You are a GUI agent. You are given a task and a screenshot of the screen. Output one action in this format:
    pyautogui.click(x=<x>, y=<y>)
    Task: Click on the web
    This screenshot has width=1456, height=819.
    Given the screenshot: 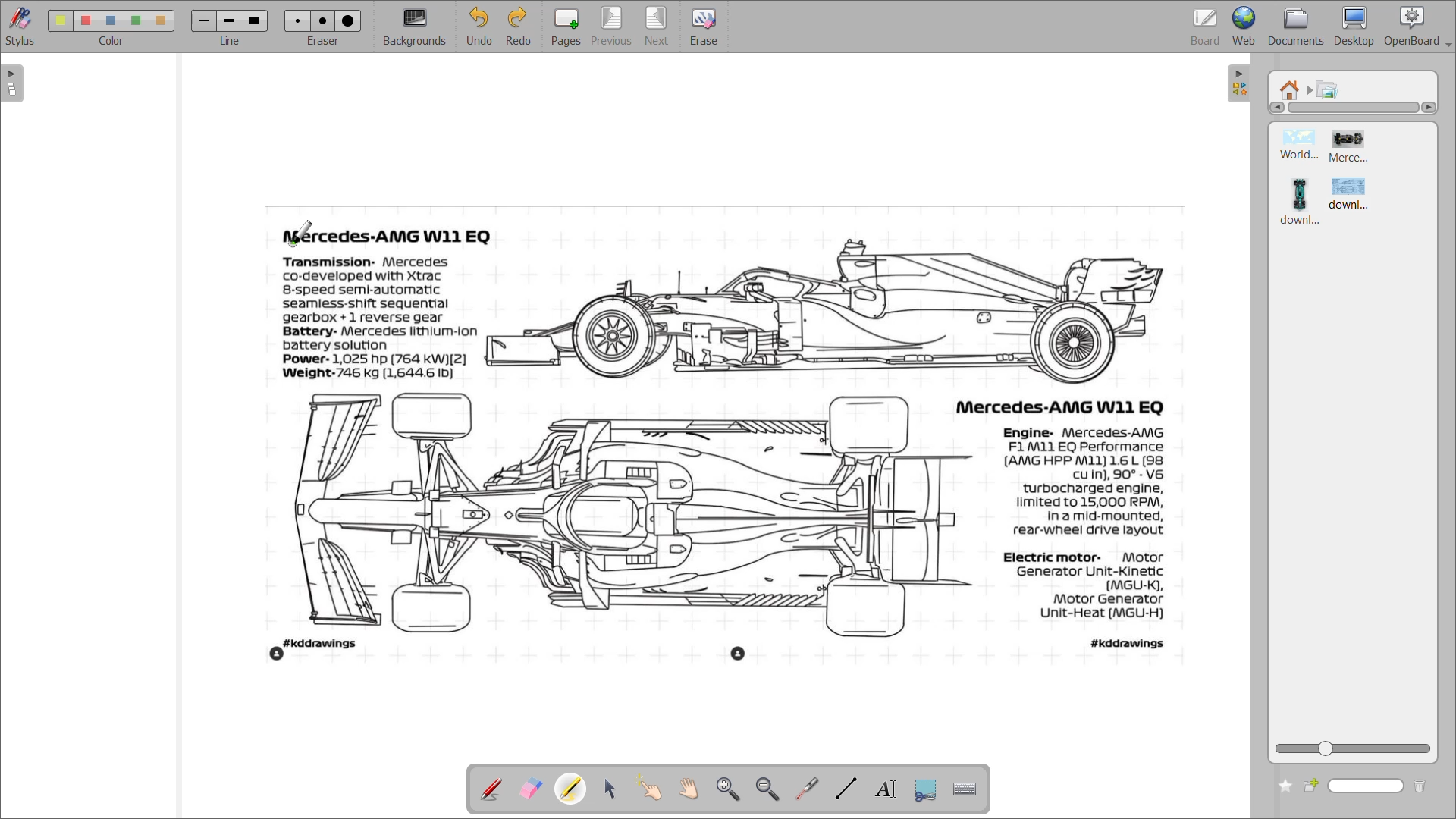 What is the action you would take?
    pyautogui.click(x=1247, y=26)
    